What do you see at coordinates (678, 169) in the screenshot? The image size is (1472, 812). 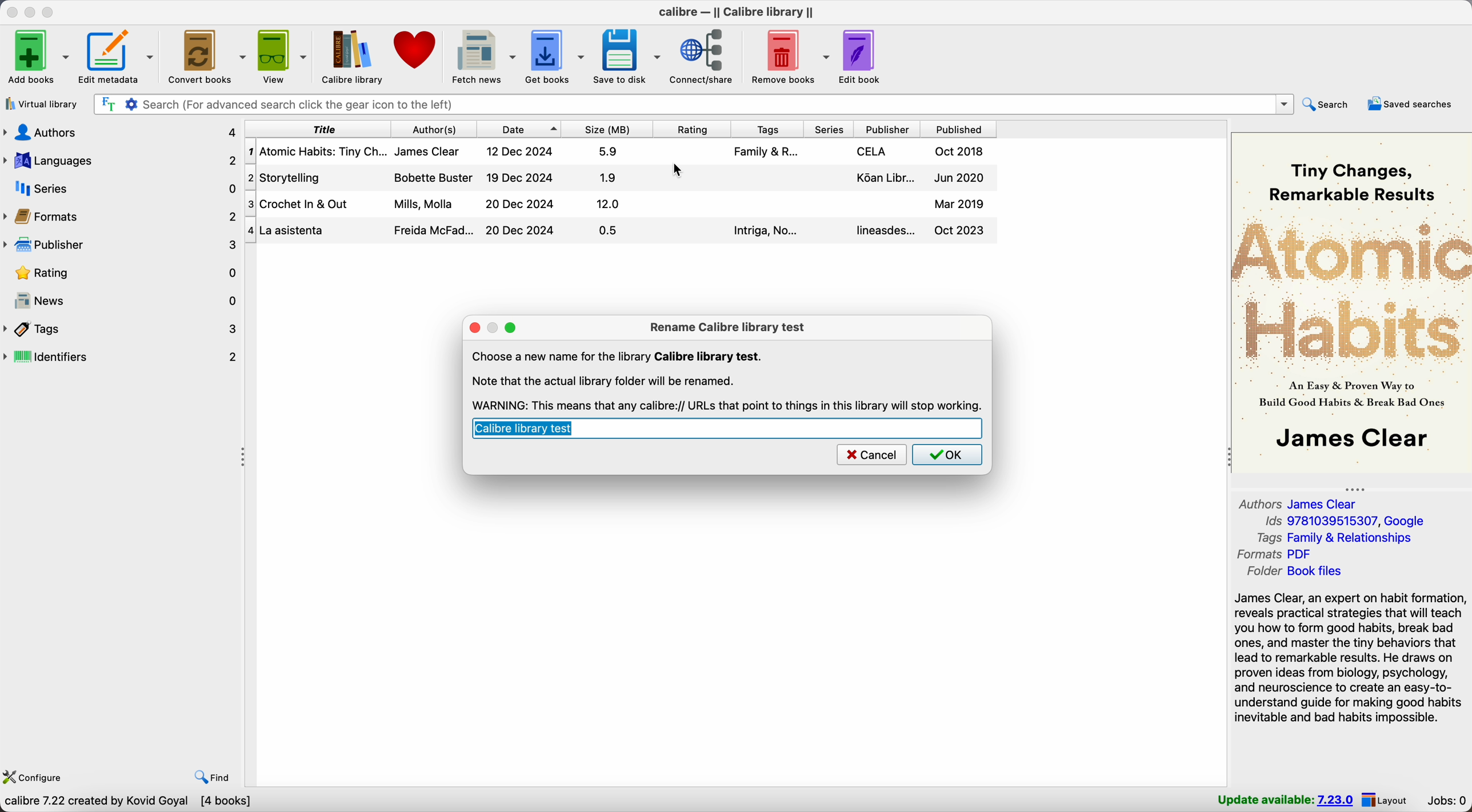 I see `cursor` at bounding box center [678, 169].